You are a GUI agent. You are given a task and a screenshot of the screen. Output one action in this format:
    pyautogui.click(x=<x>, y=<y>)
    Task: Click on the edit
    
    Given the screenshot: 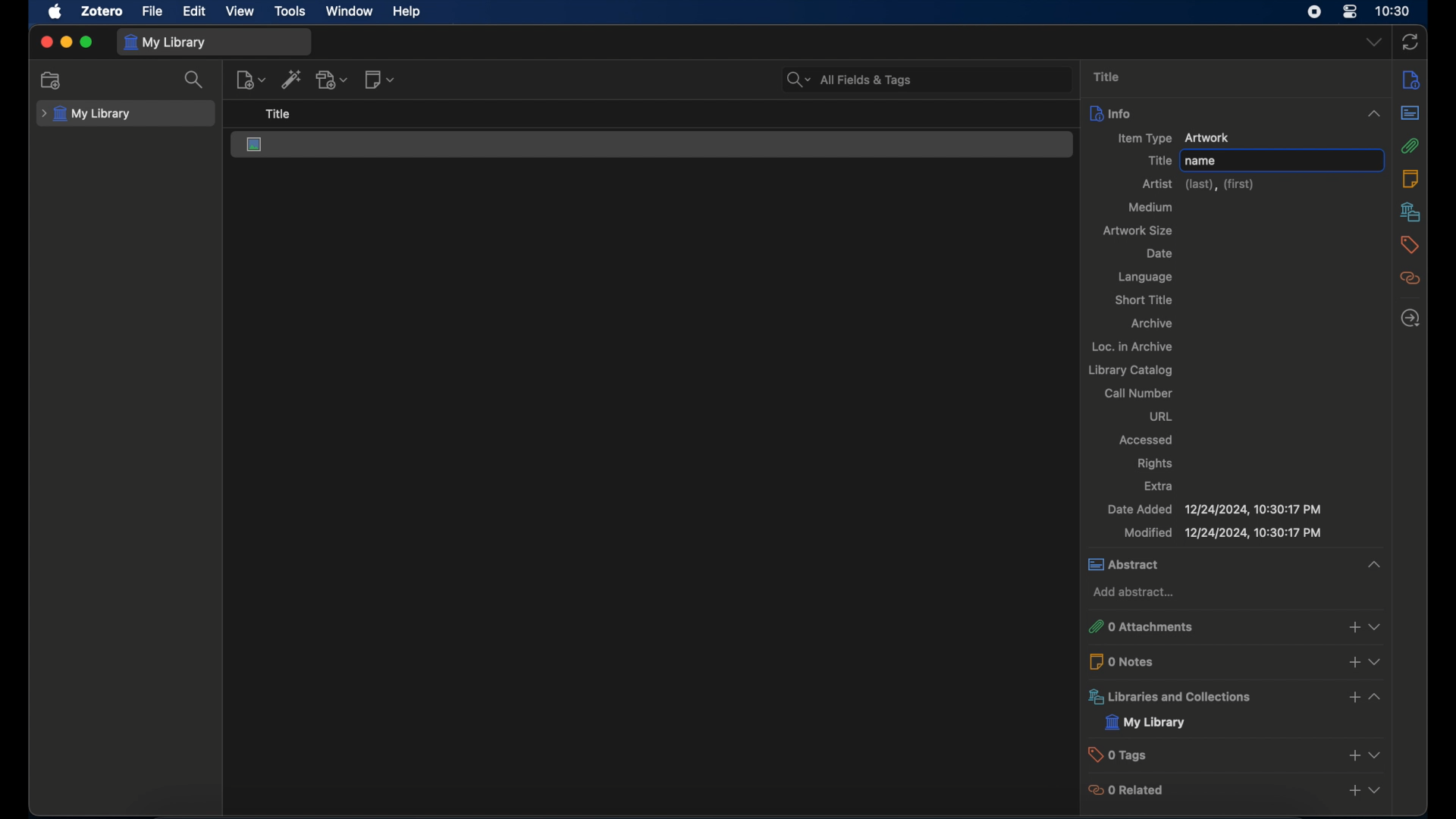 What is the action you would take?
    pyautogui.click(x=196, y=11)
    